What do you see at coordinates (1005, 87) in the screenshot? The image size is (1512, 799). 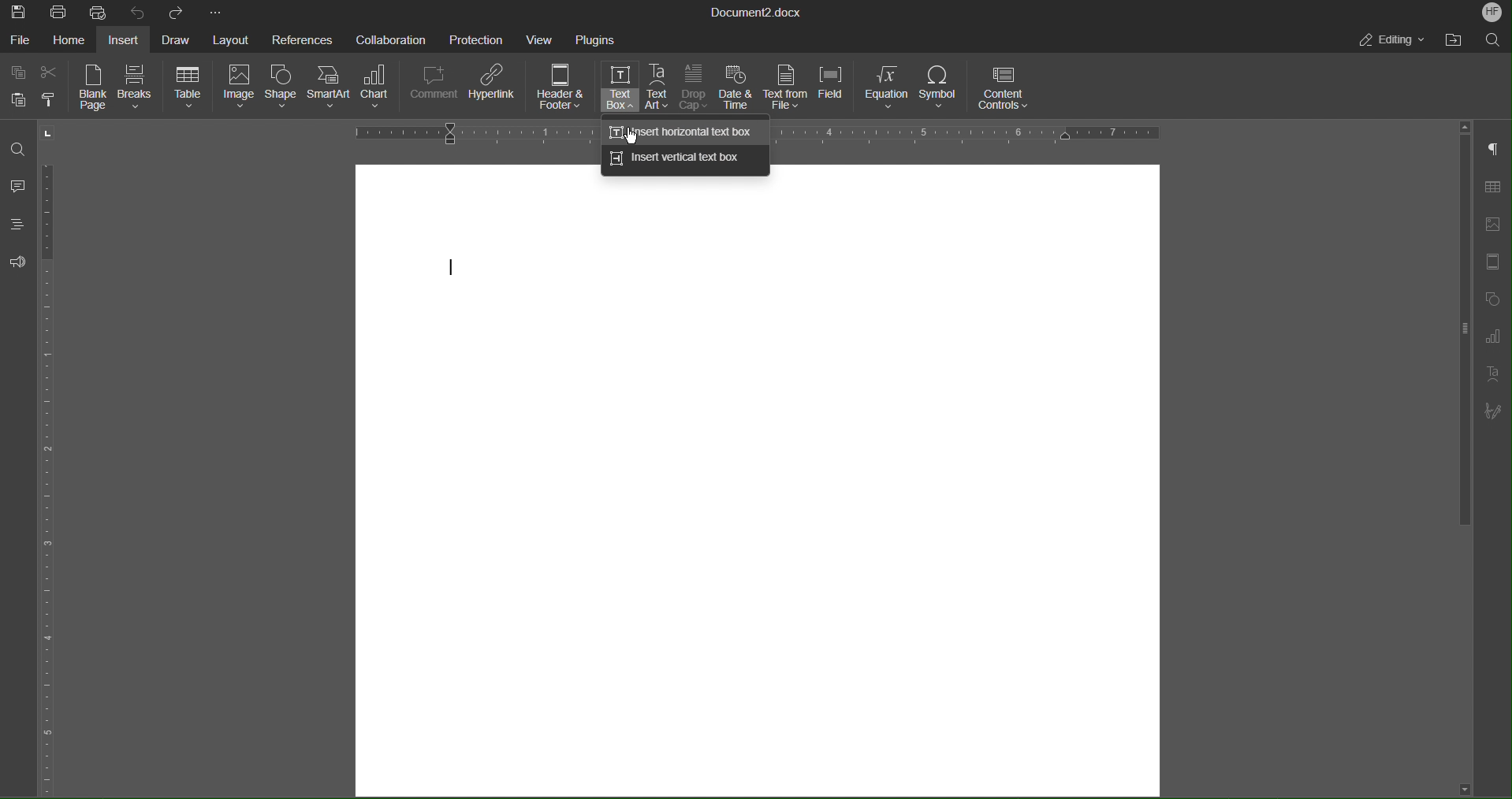 I see `Content Controls` at bounding box center [1005, 87].